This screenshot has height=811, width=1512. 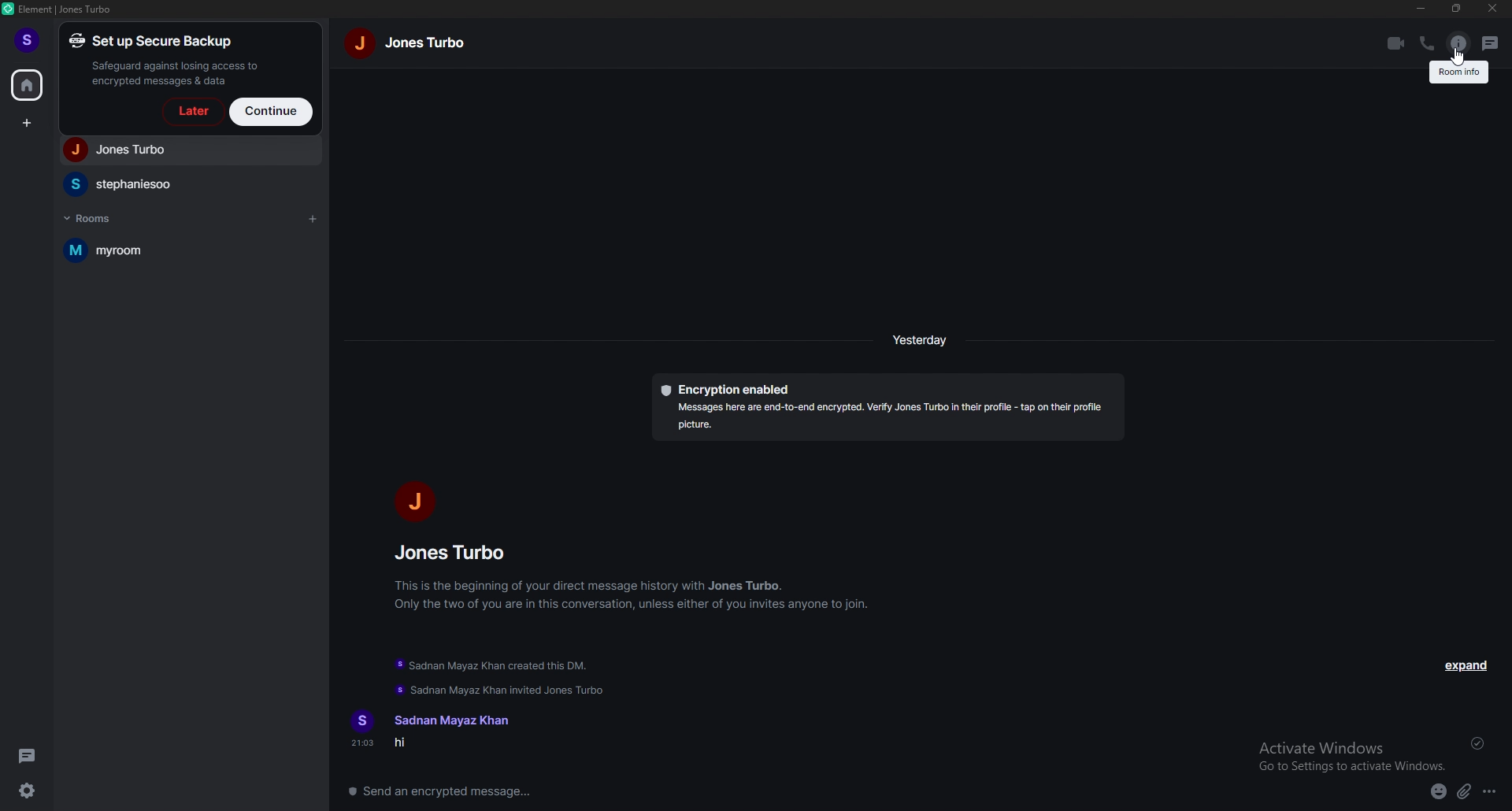 What do you see at coordinates (1476, 742) in the screenshot?
I see `sent` at bounding box center [1476, 742].